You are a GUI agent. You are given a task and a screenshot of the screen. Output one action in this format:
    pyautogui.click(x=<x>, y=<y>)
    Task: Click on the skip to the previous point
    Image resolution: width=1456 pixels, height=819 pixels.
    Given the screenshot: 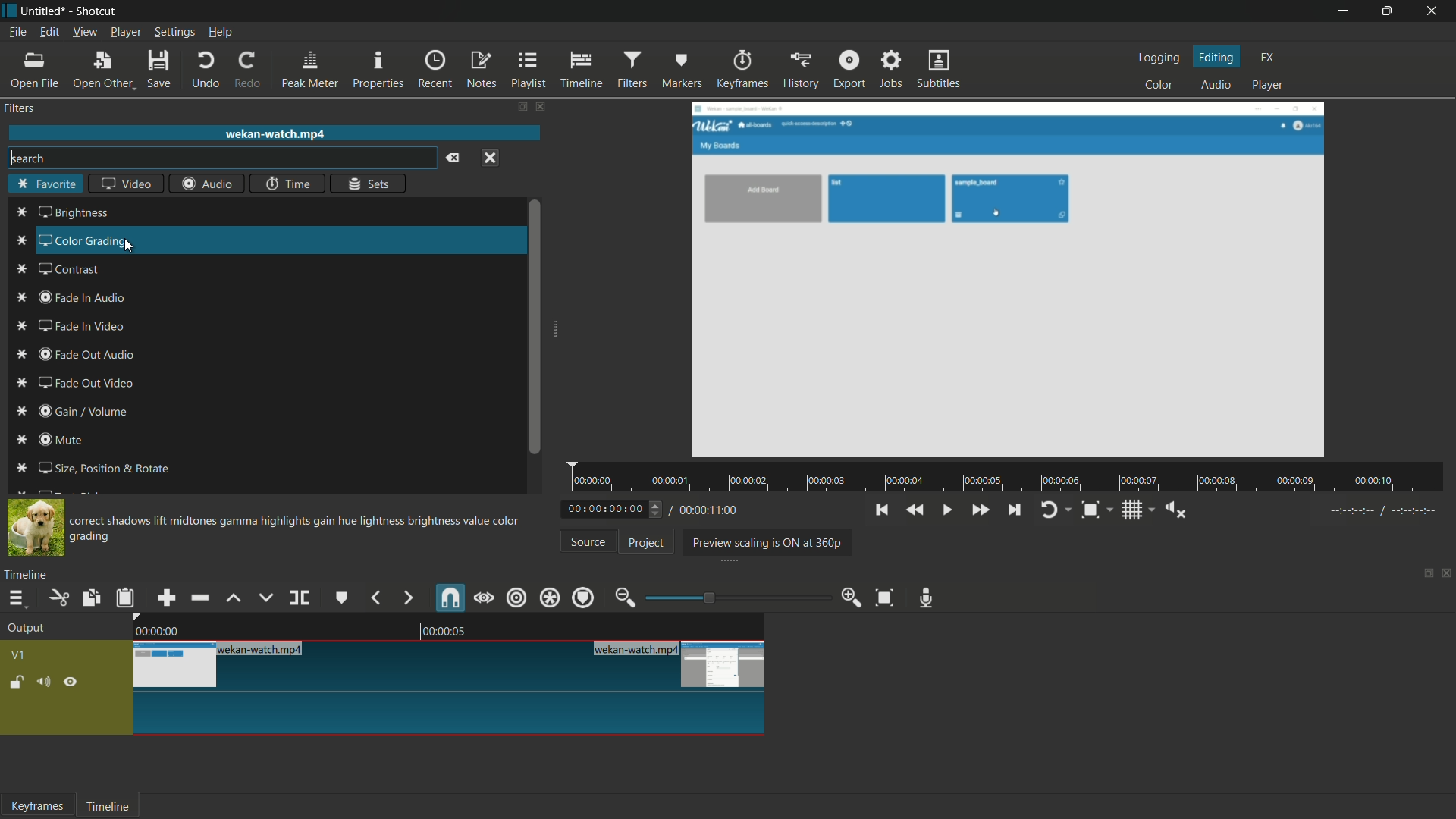 What is the action you would take?
    pyautogui.click(x=881, y=510)
    